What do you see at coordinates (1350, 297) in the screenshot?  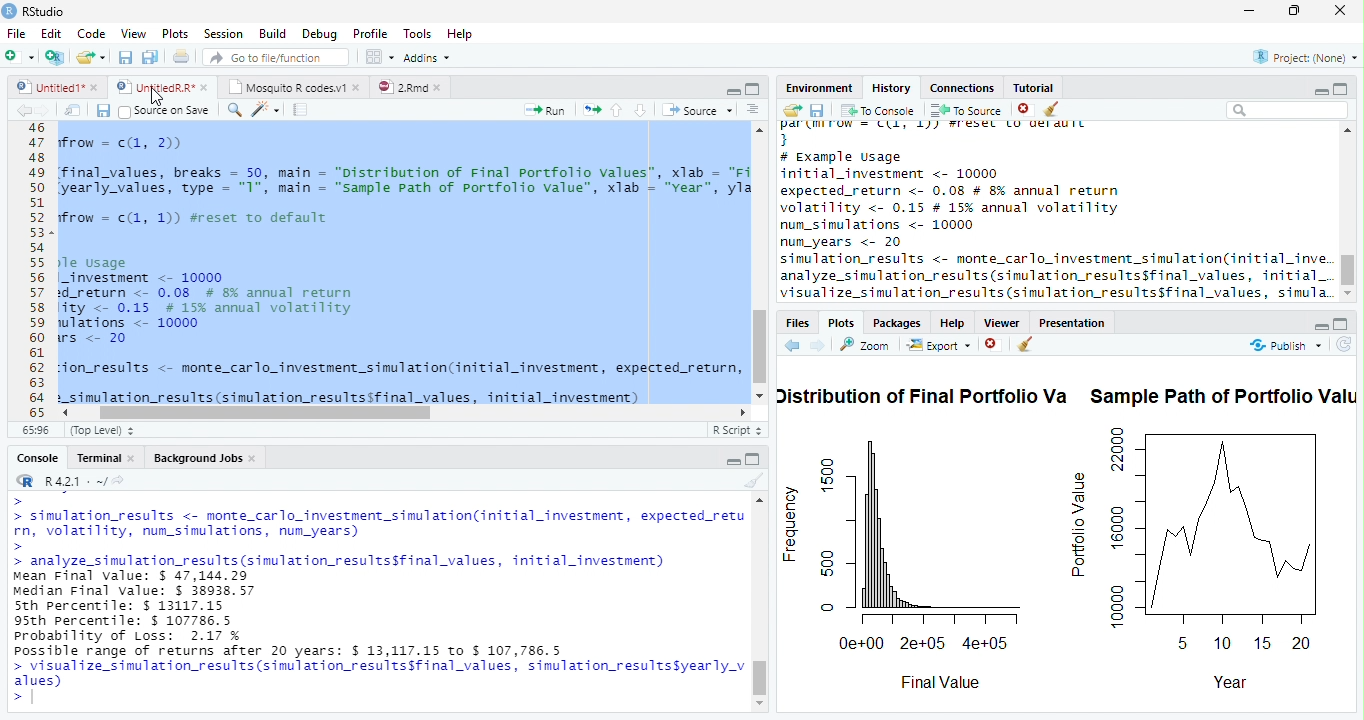 I see `Scroll Bottom` at bounding box center [1350, 297].